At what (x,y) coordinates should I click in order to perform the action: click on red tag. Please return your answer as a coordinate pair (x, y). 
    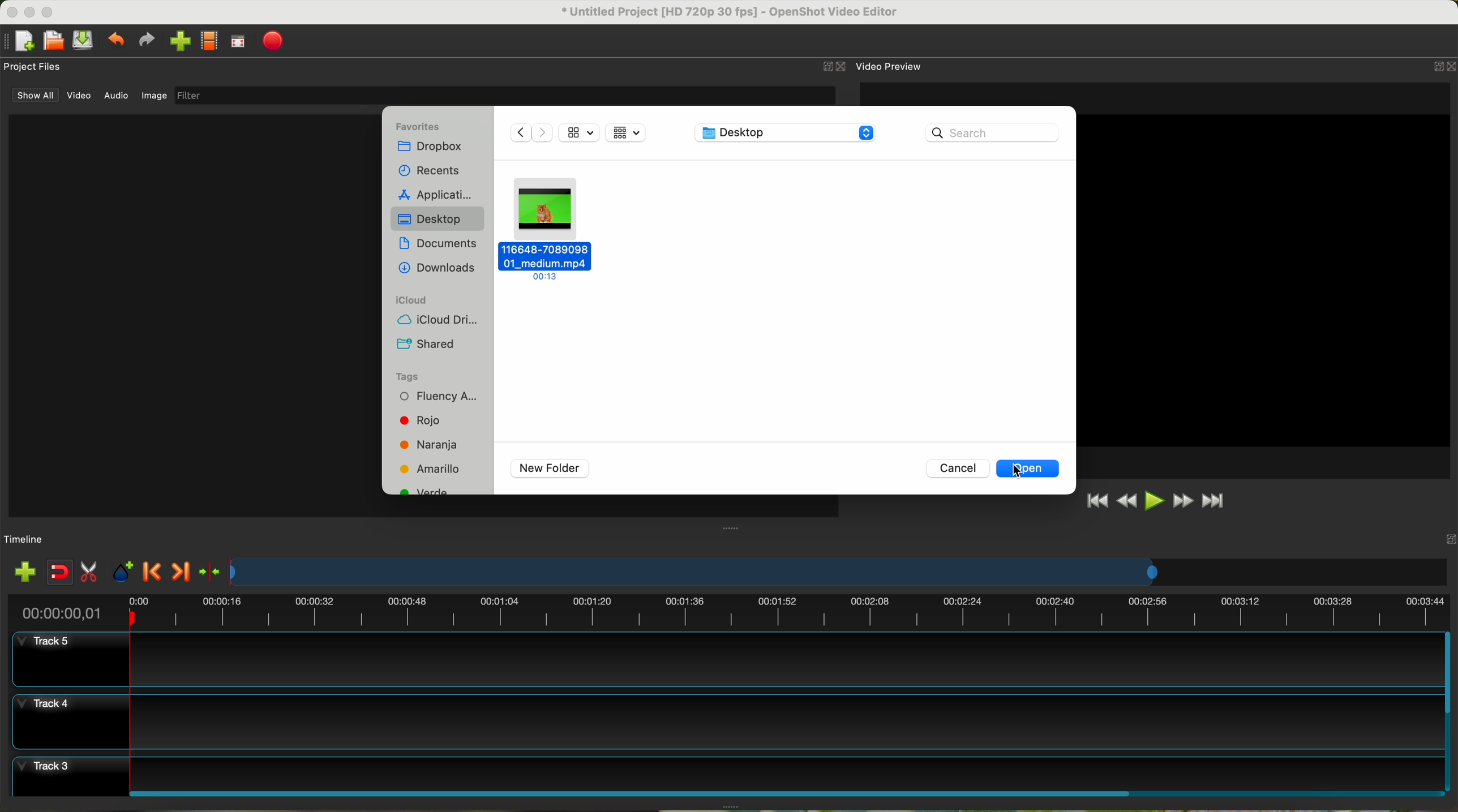
    Looking at the image, I should click on (417, 420).